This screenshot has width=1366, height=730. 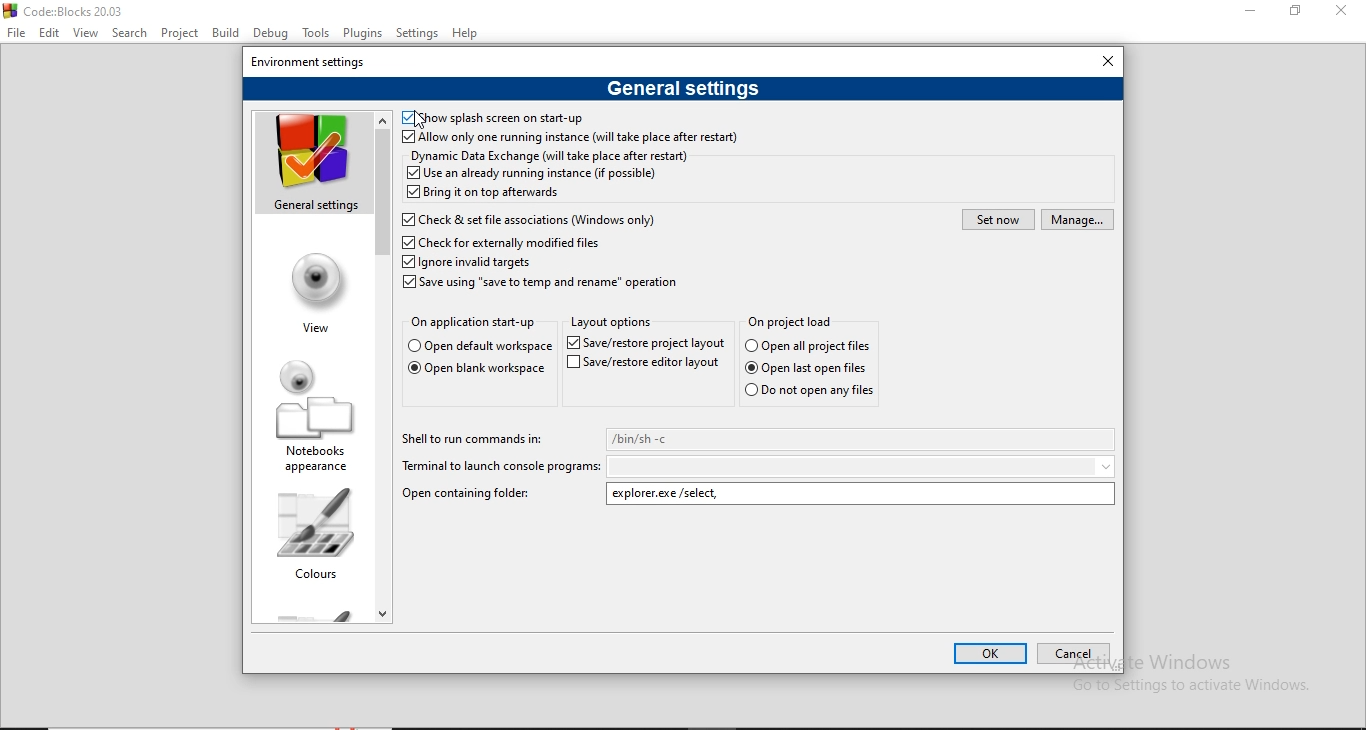 I want to click on Do not open any files, so click(x=811, y=391).